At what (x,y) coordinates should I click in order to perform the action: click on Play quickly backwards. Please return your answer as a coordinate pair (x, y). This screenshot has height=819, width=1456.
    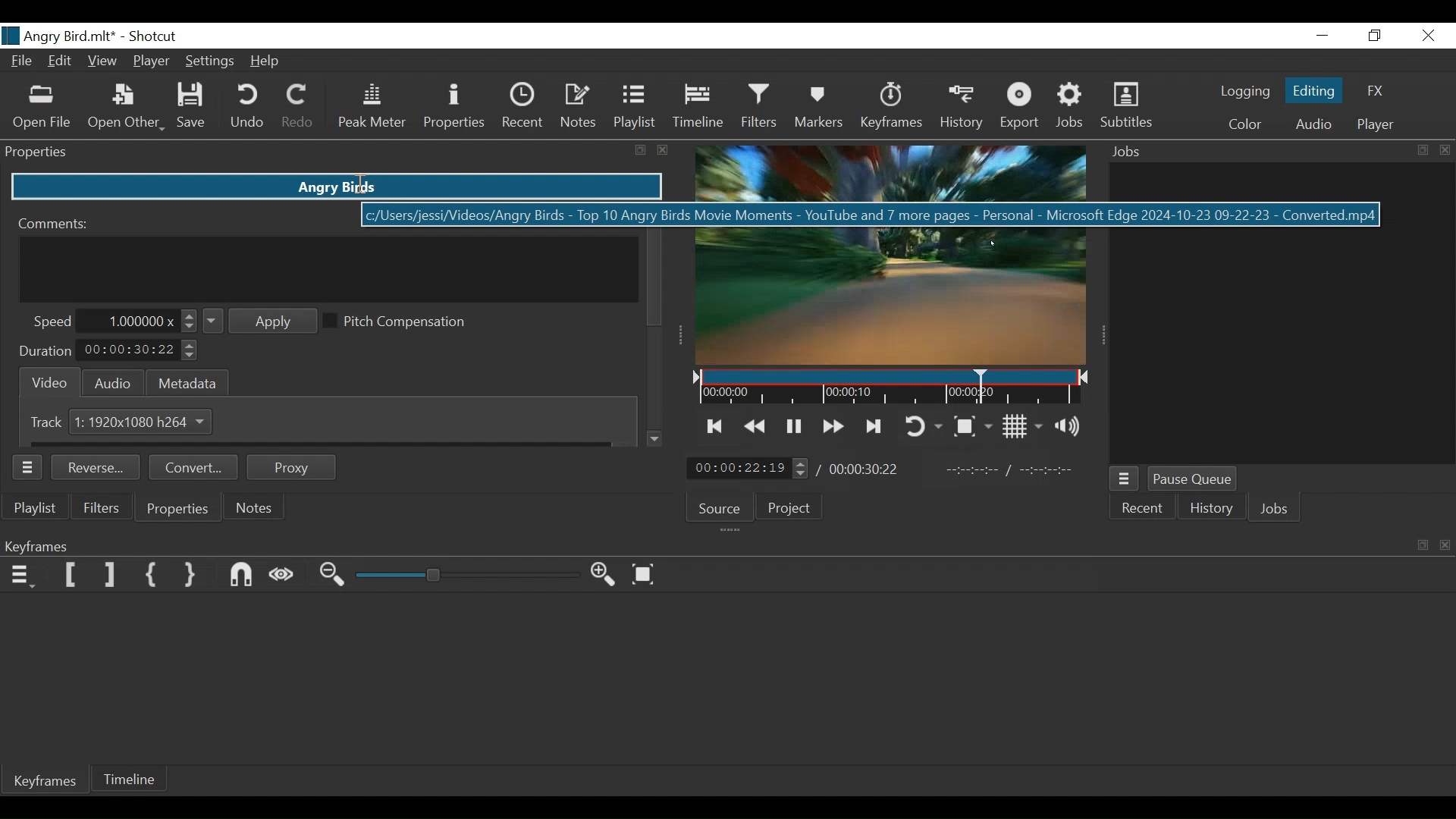
    Looking at the image, I should click on (756, 426).